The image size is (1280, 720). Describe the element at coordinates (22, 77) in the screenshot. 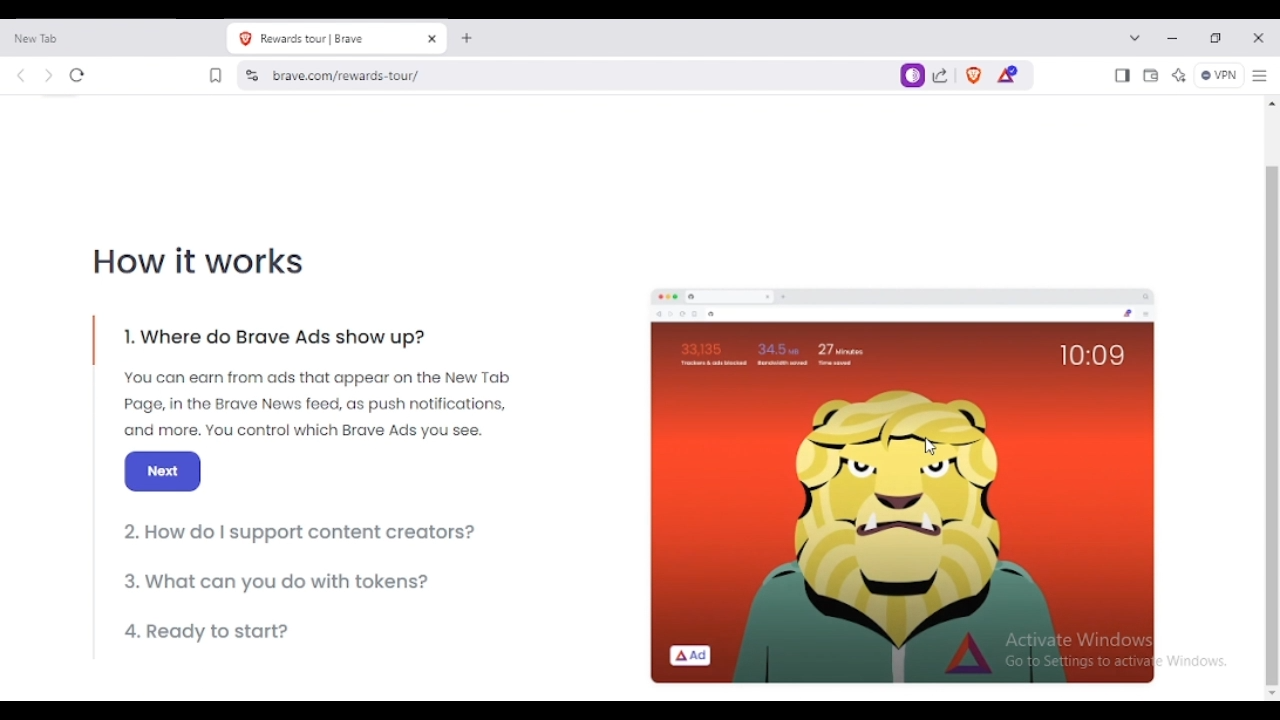

I see `go back` at that location.